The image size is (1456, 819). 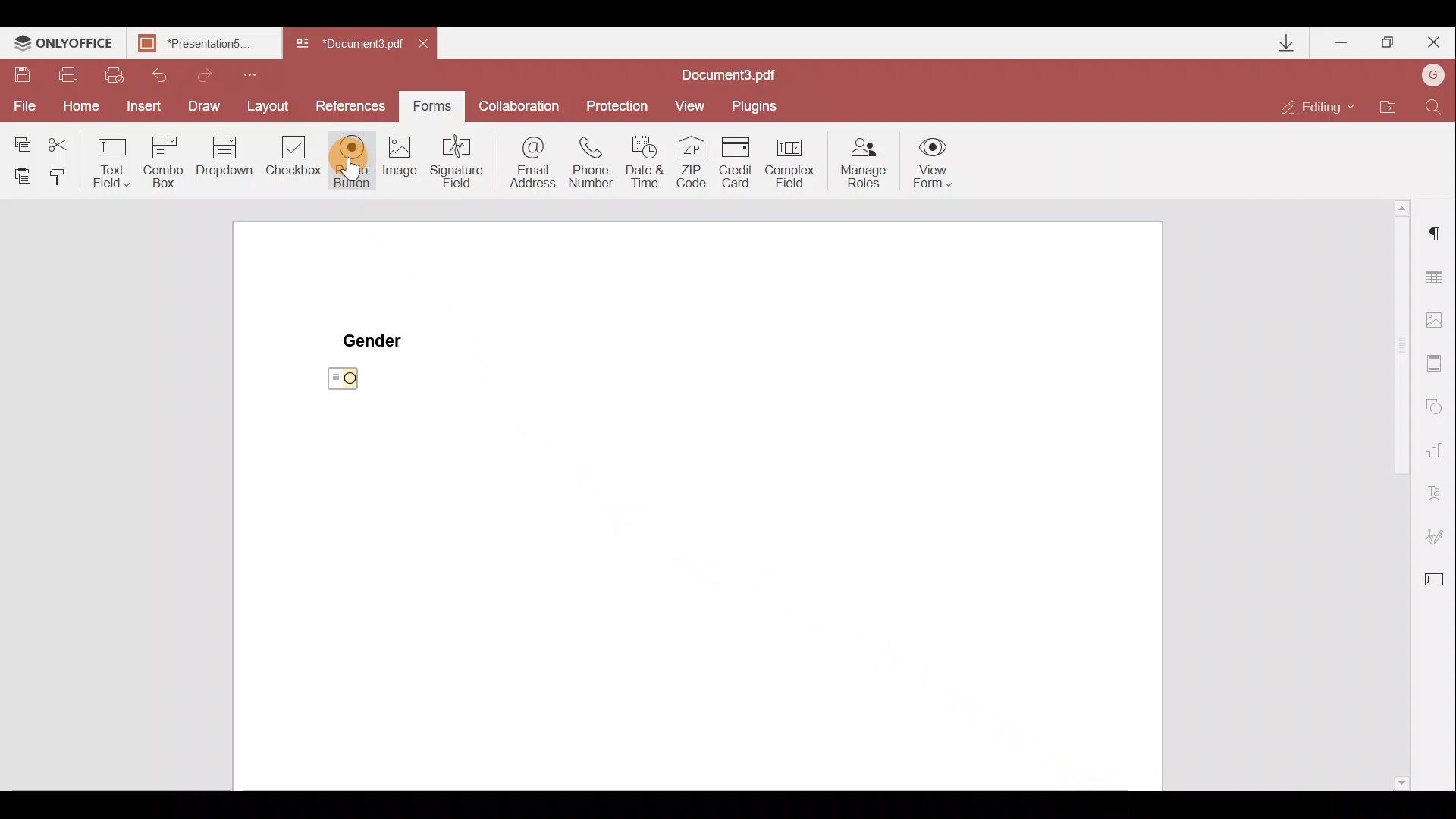 I want to click on Collaboration, so click(x=523, y=105).